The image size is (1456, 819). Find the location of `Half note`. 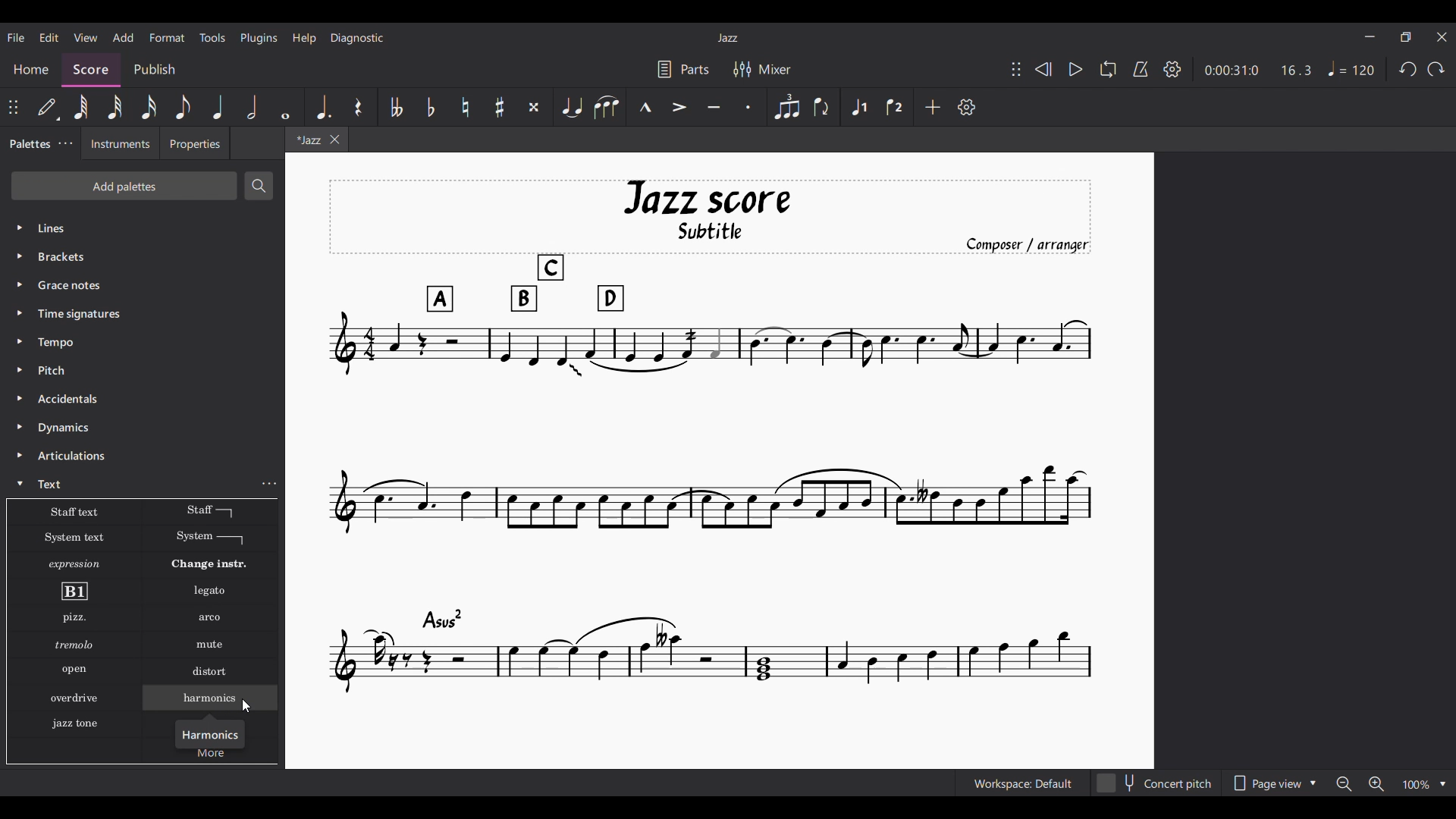

Half note is located at coordinates (253, 107).